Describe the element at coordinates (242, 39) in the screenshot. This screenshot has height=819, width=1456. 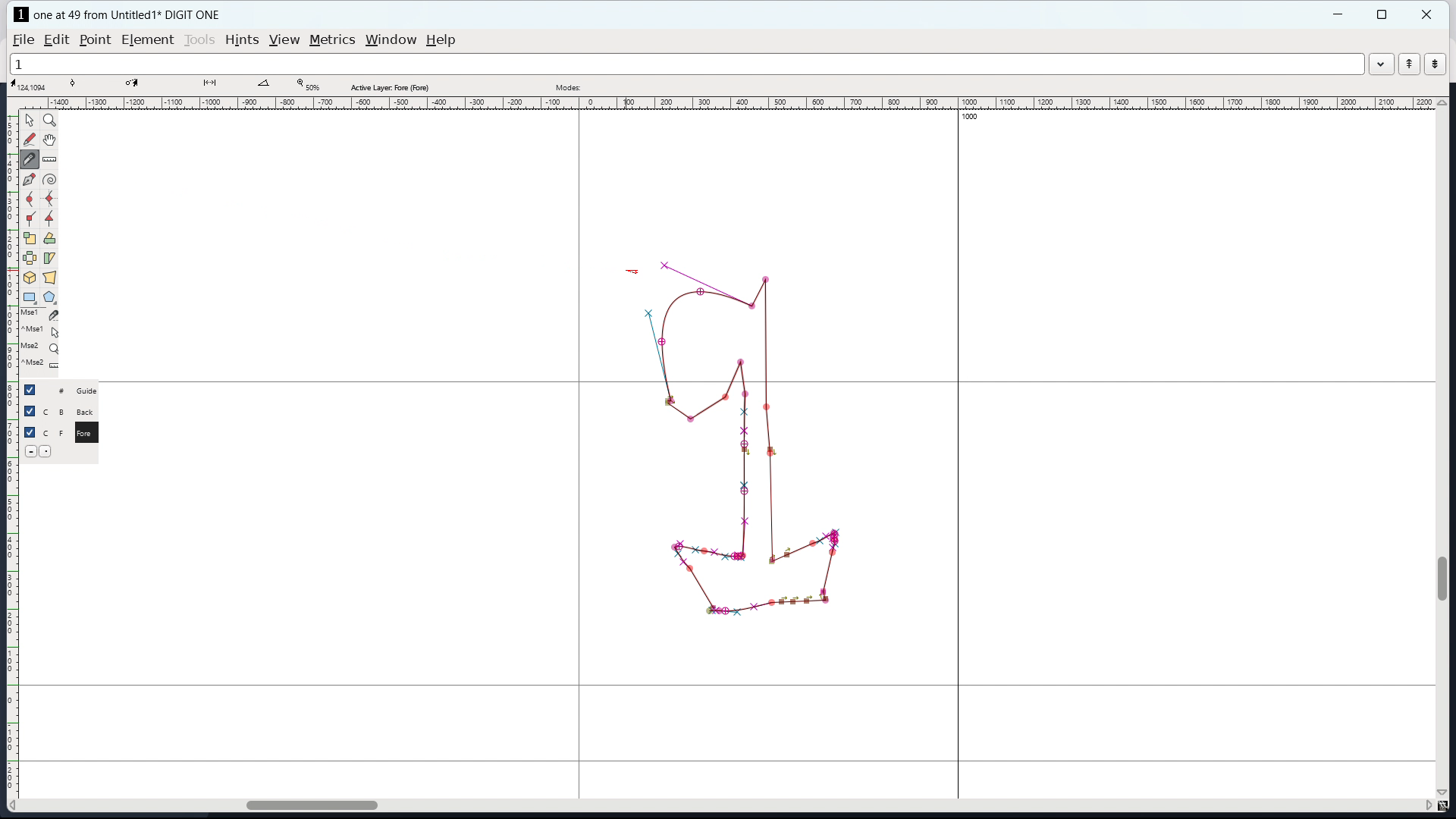
I see `hints` at that location.